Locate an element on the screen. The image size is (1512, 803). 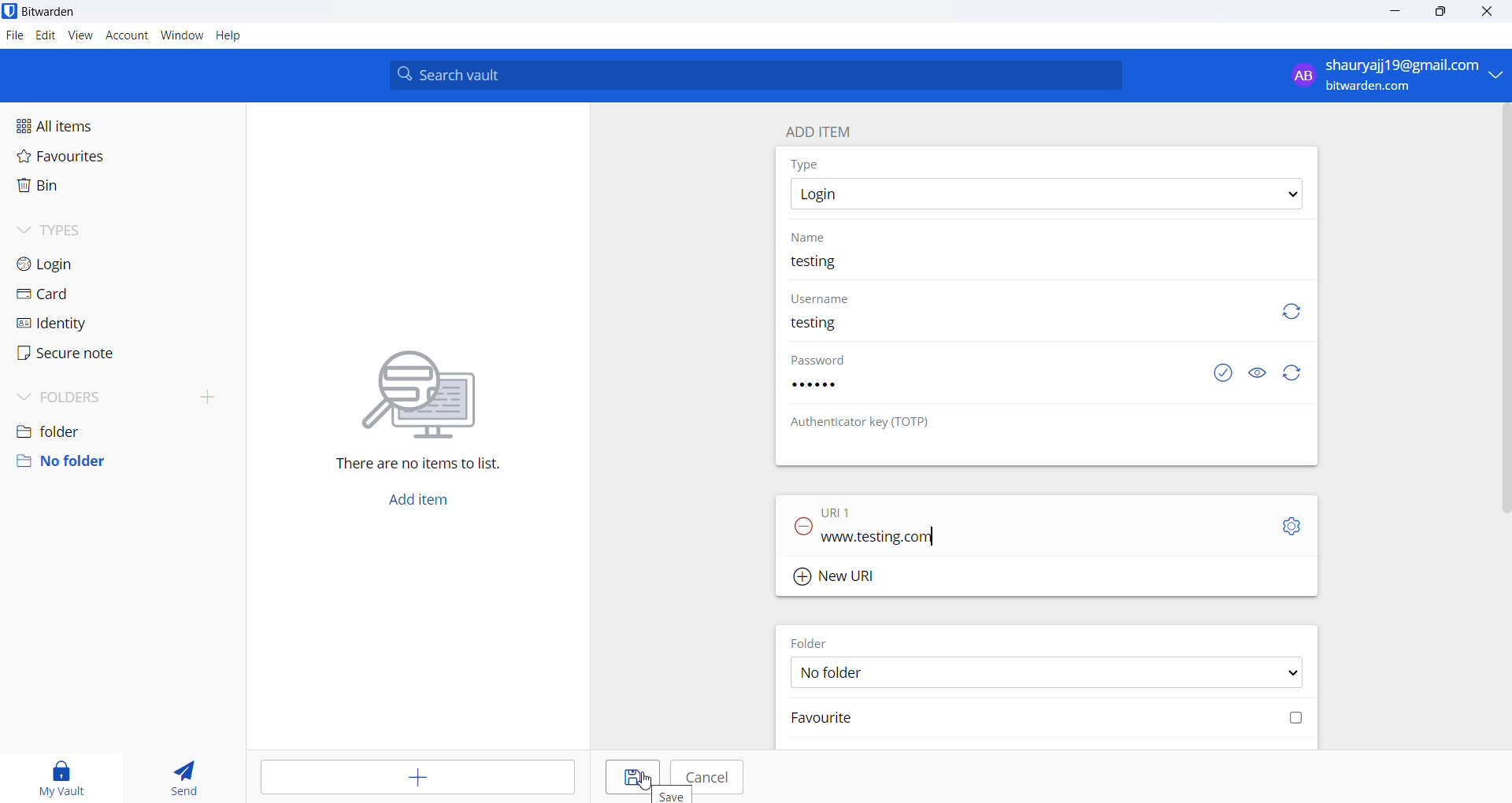
favourites is located at coordinates (89, 156).